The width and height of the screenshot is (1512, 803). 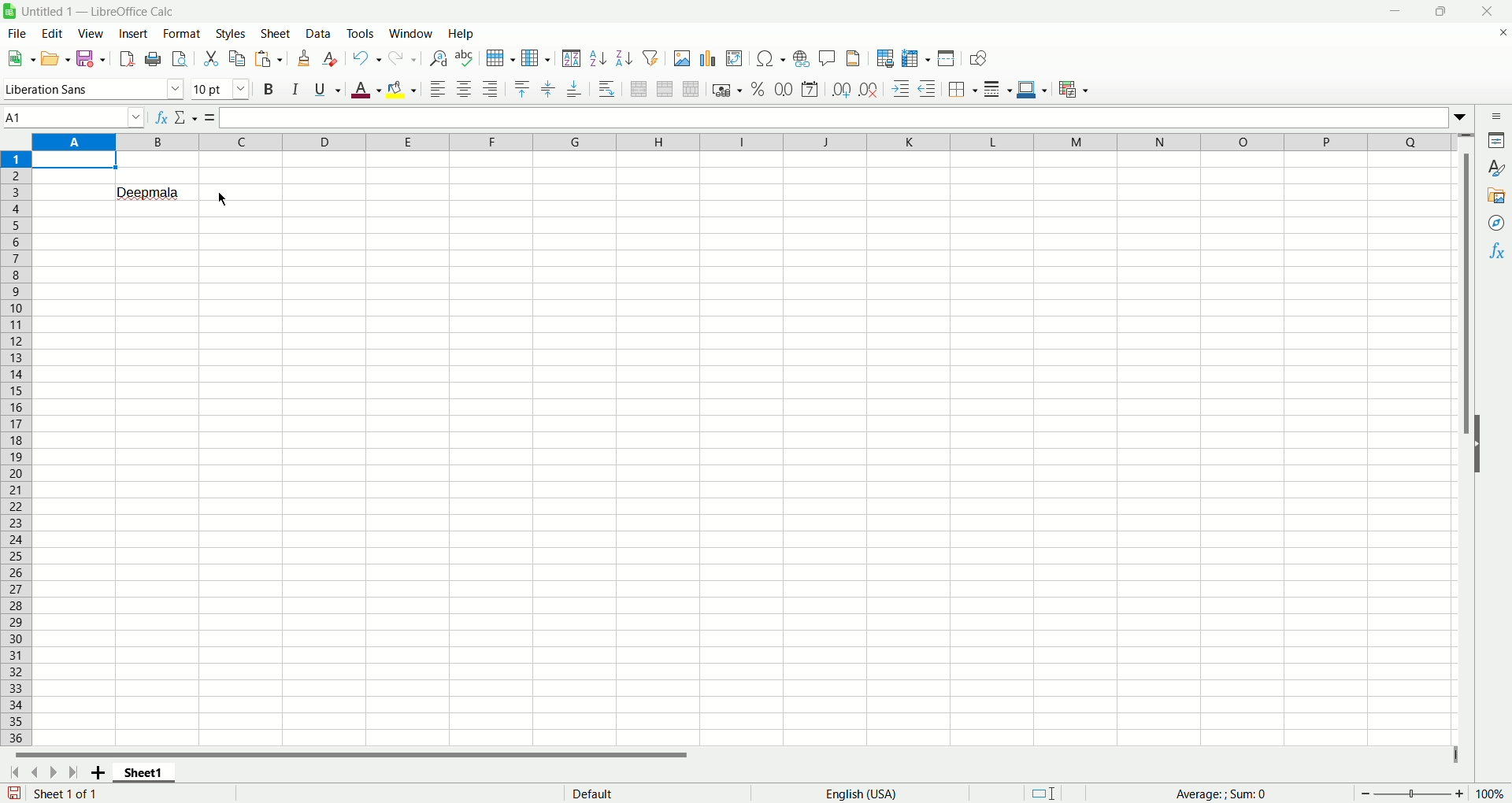 I want to click on Background color, so click(x=401, y=90).